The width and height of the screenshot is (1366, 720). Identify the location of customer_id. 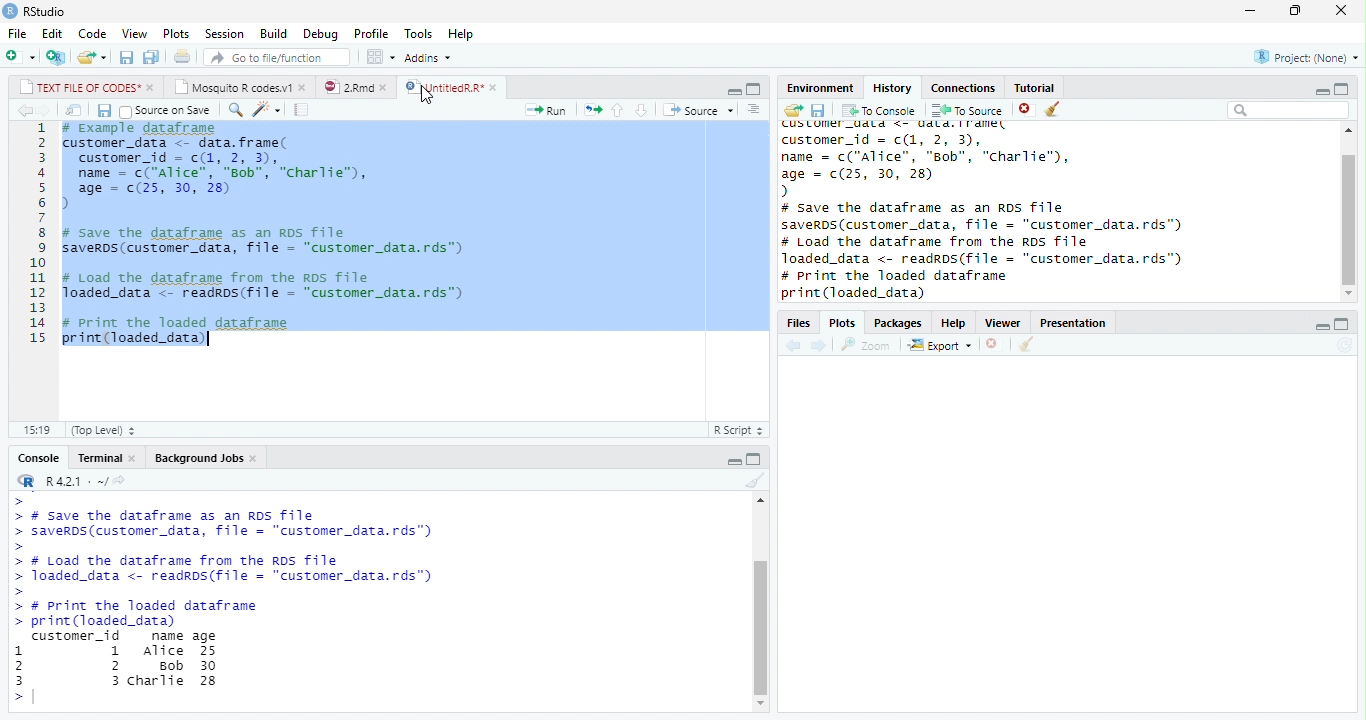
(76, 636).